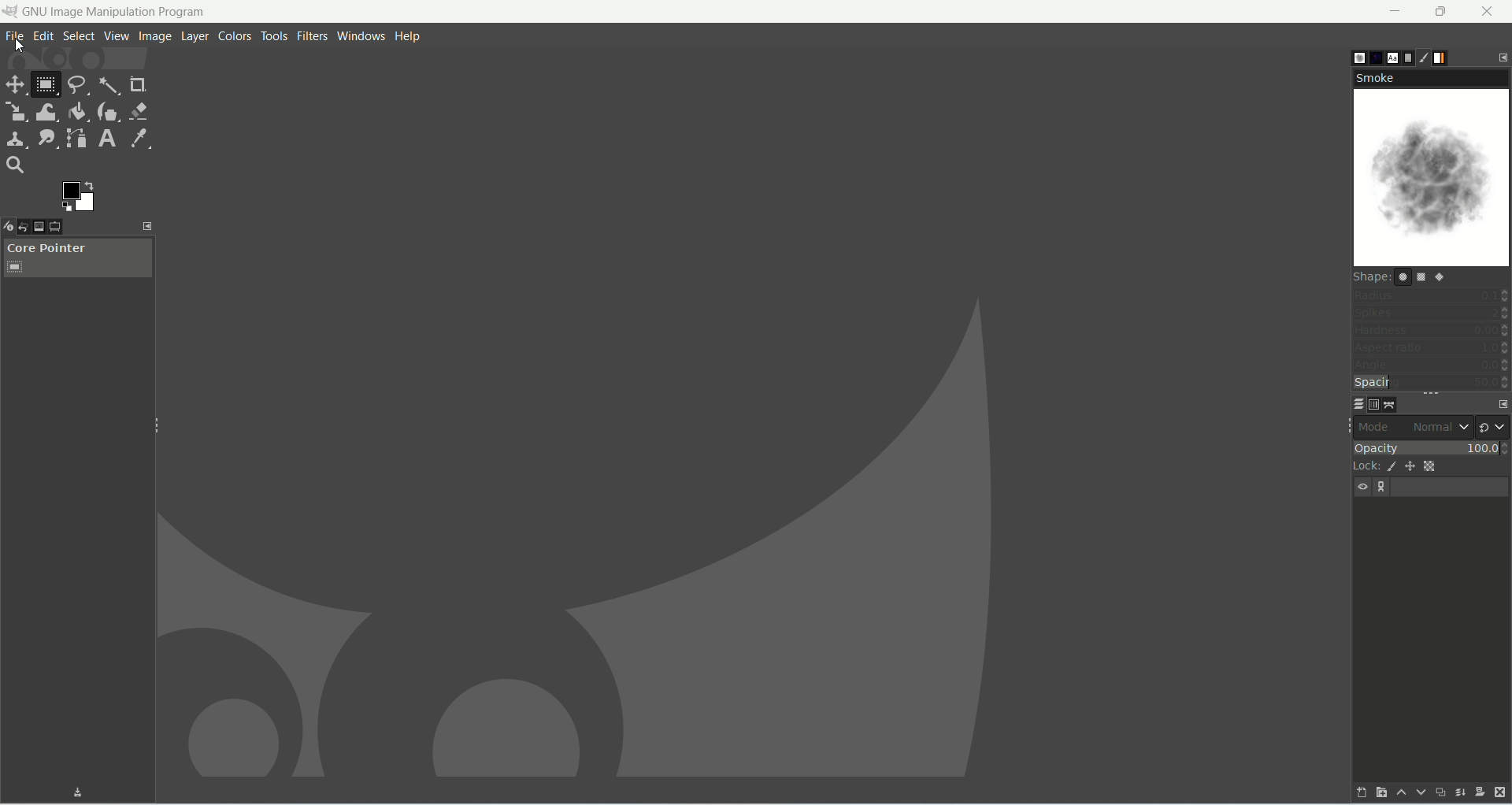  I want to click on close, so click(1491, 9).